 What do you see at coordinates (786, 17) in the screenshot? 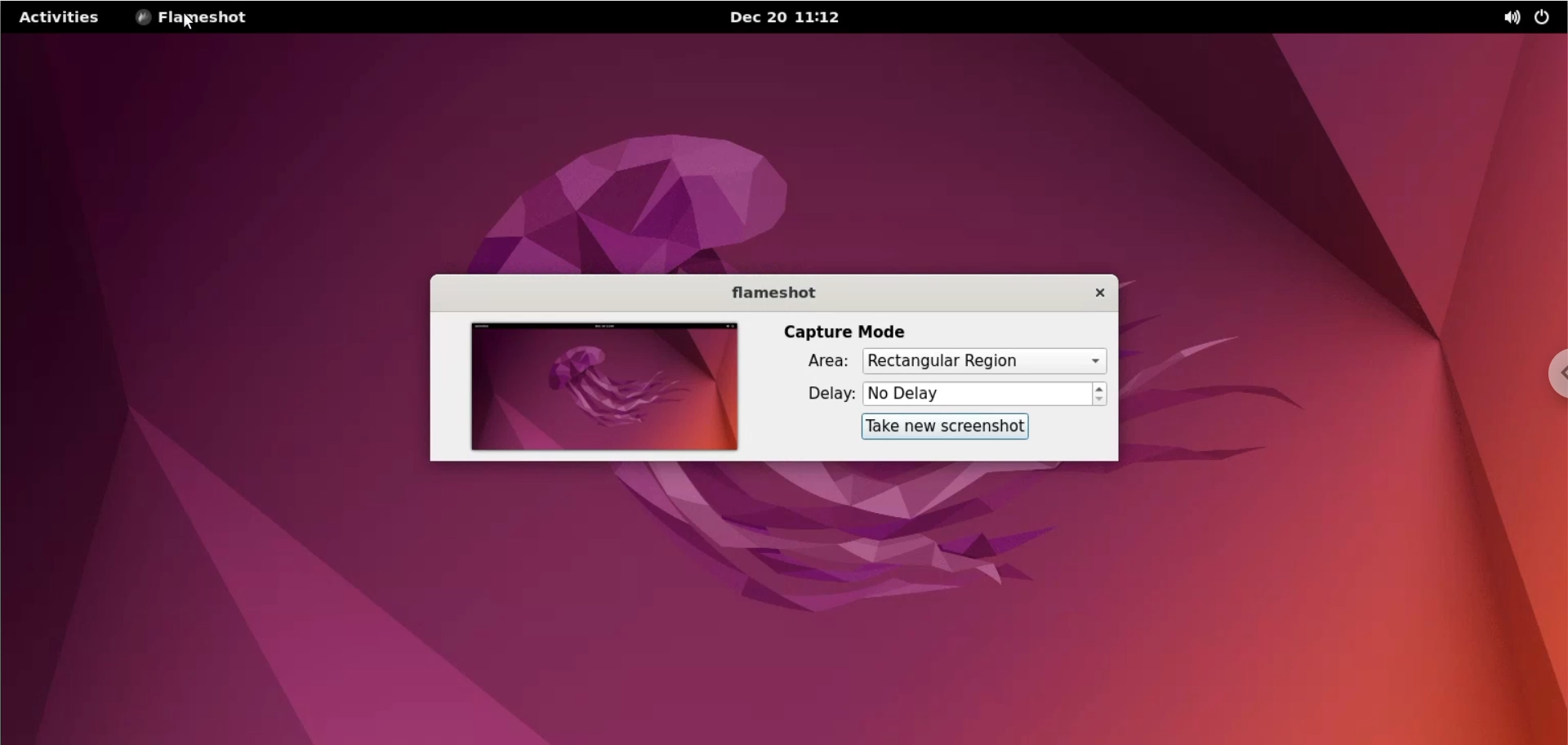
I see `Dec 20 11:12` at bounding box center [786, 17].